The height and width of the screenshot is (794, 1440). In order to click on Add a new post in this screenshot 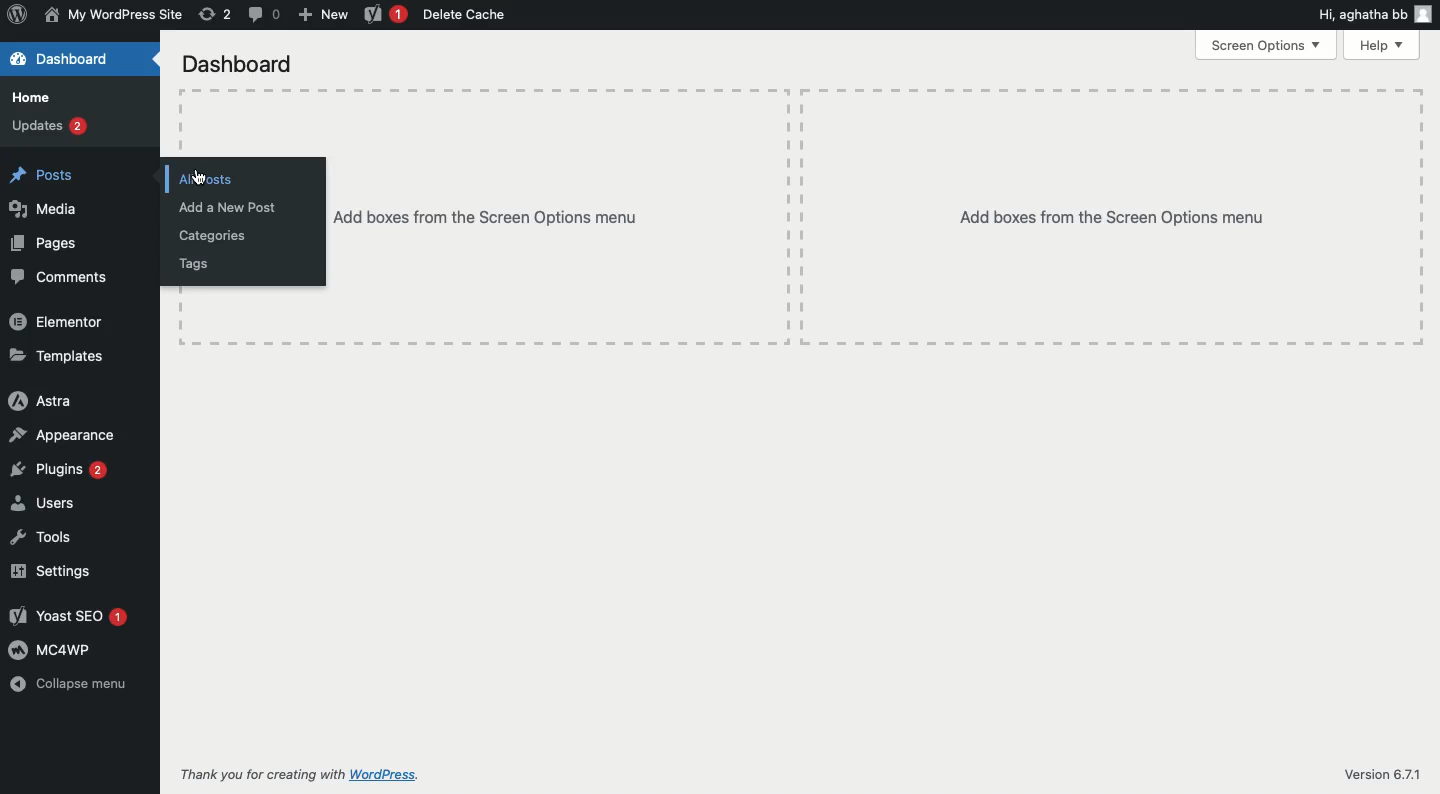, I will do `click(229, 208)`.